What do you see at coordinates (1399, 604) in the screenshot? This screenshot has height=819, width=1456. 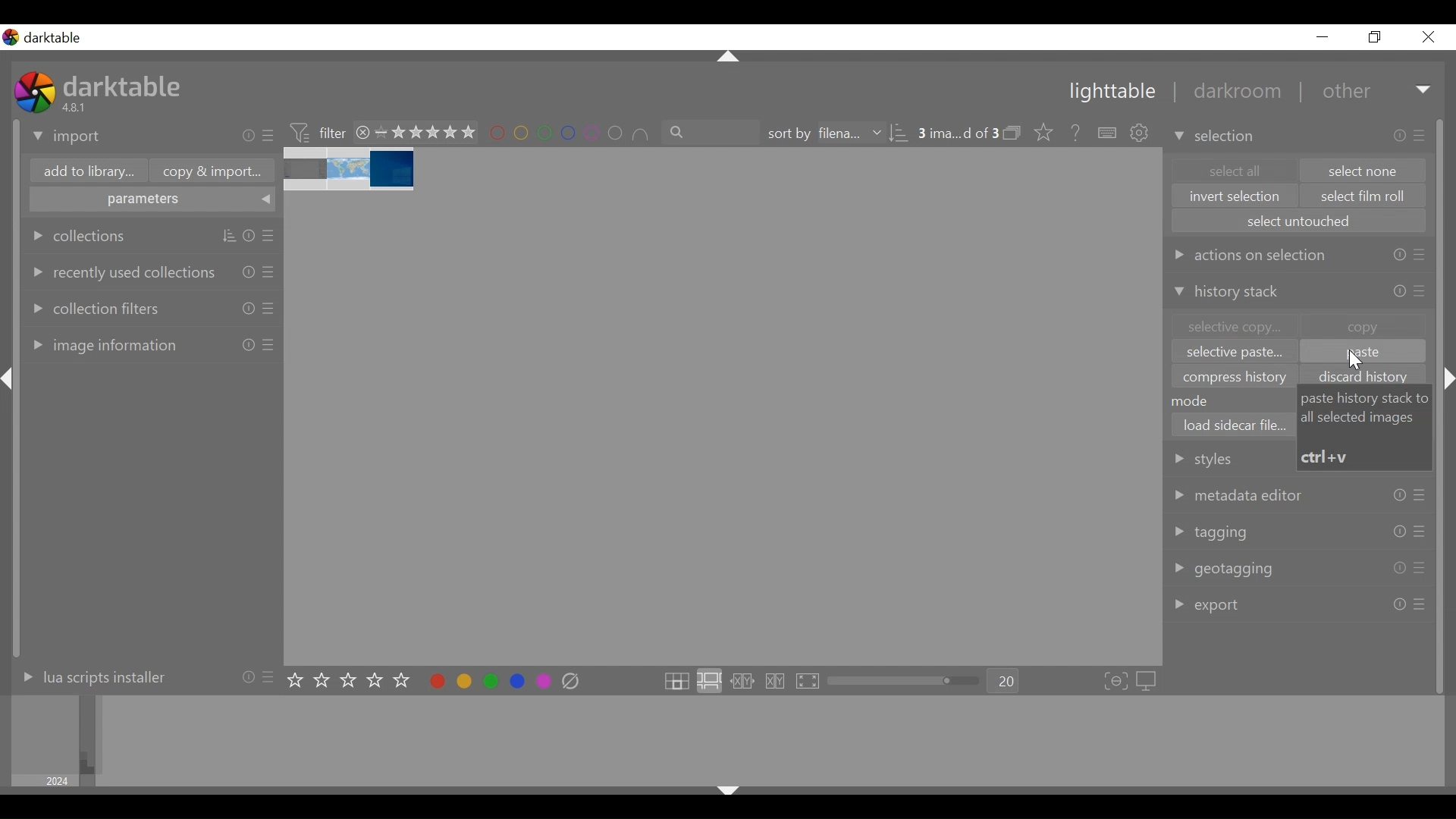 I see `info` at bounding box center [1399, 604].